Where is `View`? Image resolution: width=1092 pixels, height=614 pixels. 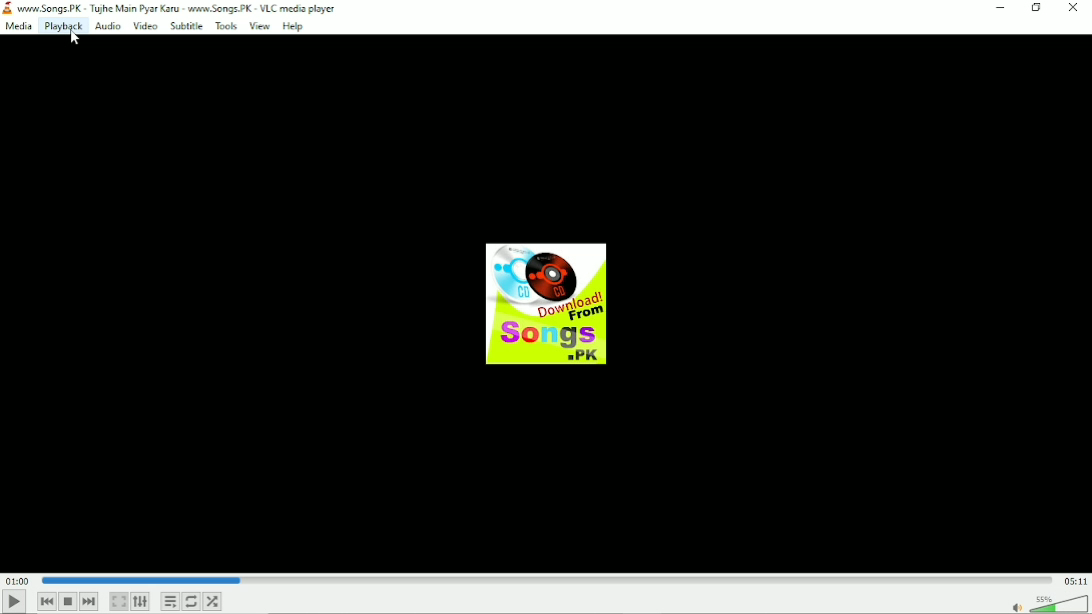 View is located at coordinates (259, 27).